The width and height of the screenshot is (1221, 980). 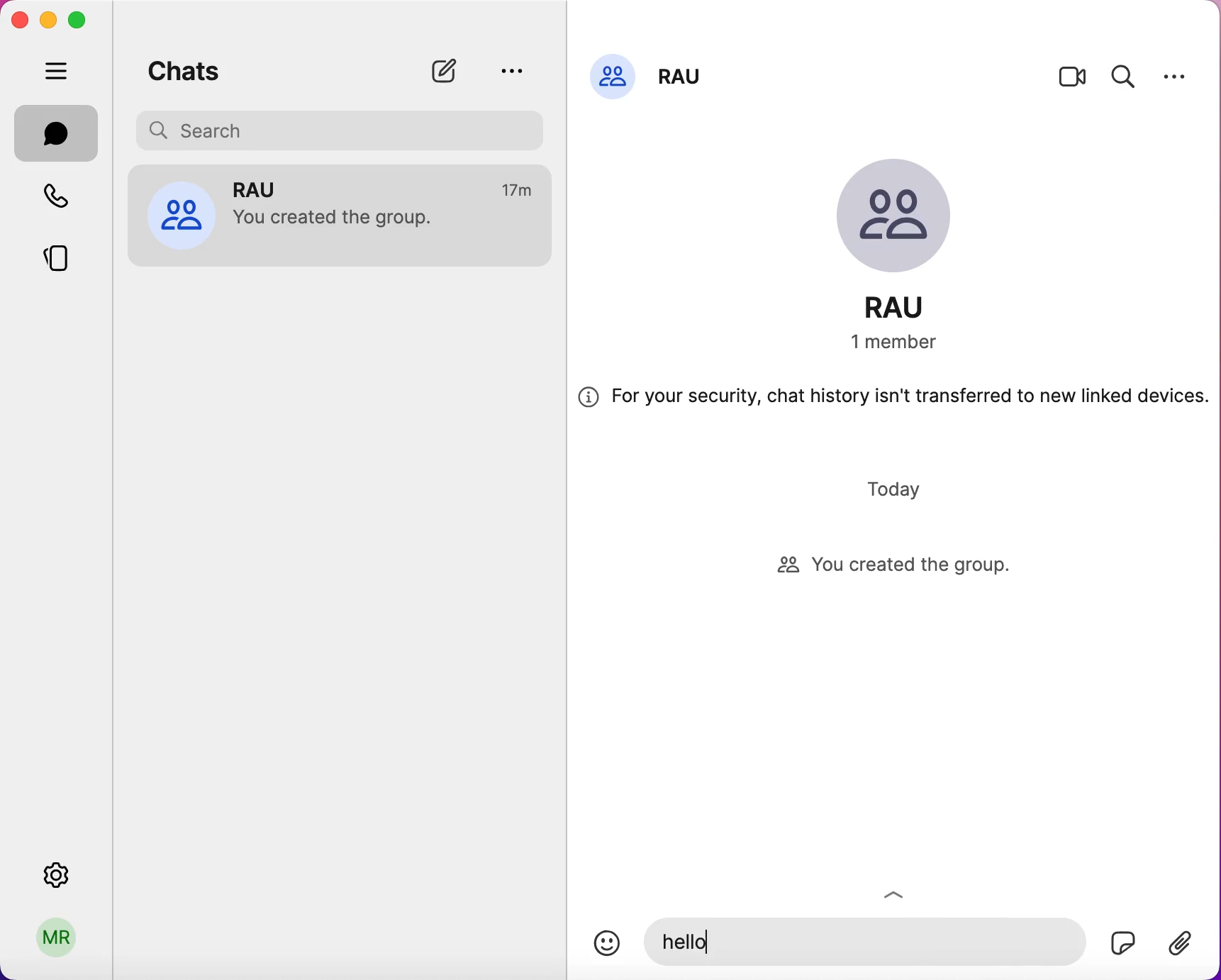 I want to click on search, so click(x=1124, y=74).